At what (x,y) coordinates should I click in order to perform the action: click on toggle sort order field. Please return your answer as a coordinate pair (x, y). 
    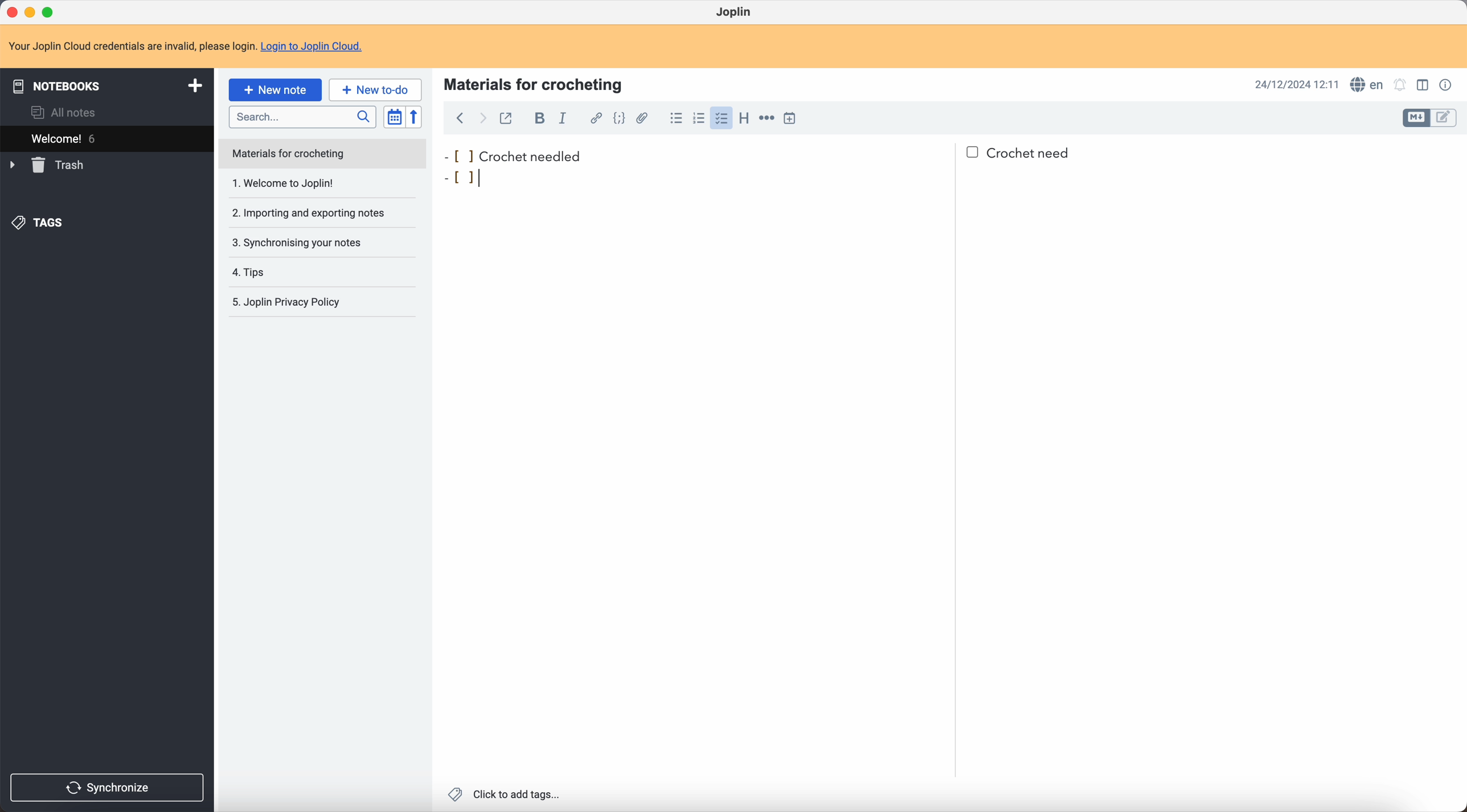
    Looking at the image, I should click on (394, 117).